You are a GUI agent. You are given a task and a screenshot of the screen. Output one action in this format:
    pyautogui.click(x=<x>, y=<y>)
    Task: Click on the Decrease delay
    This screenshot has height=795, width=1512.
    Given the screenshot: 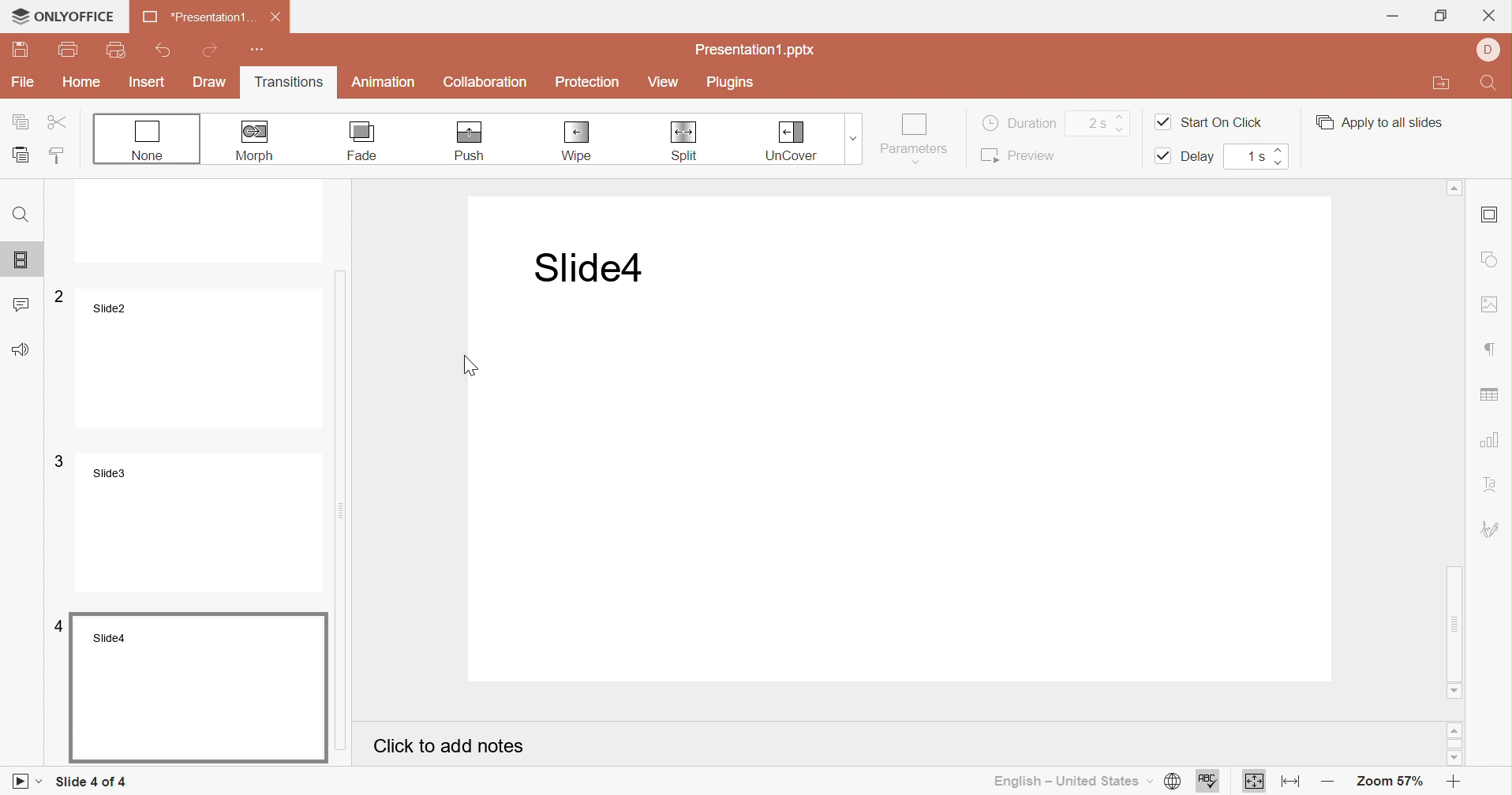 What is the action you would take?
    pyautogui.click(x=1283, y=163)
    